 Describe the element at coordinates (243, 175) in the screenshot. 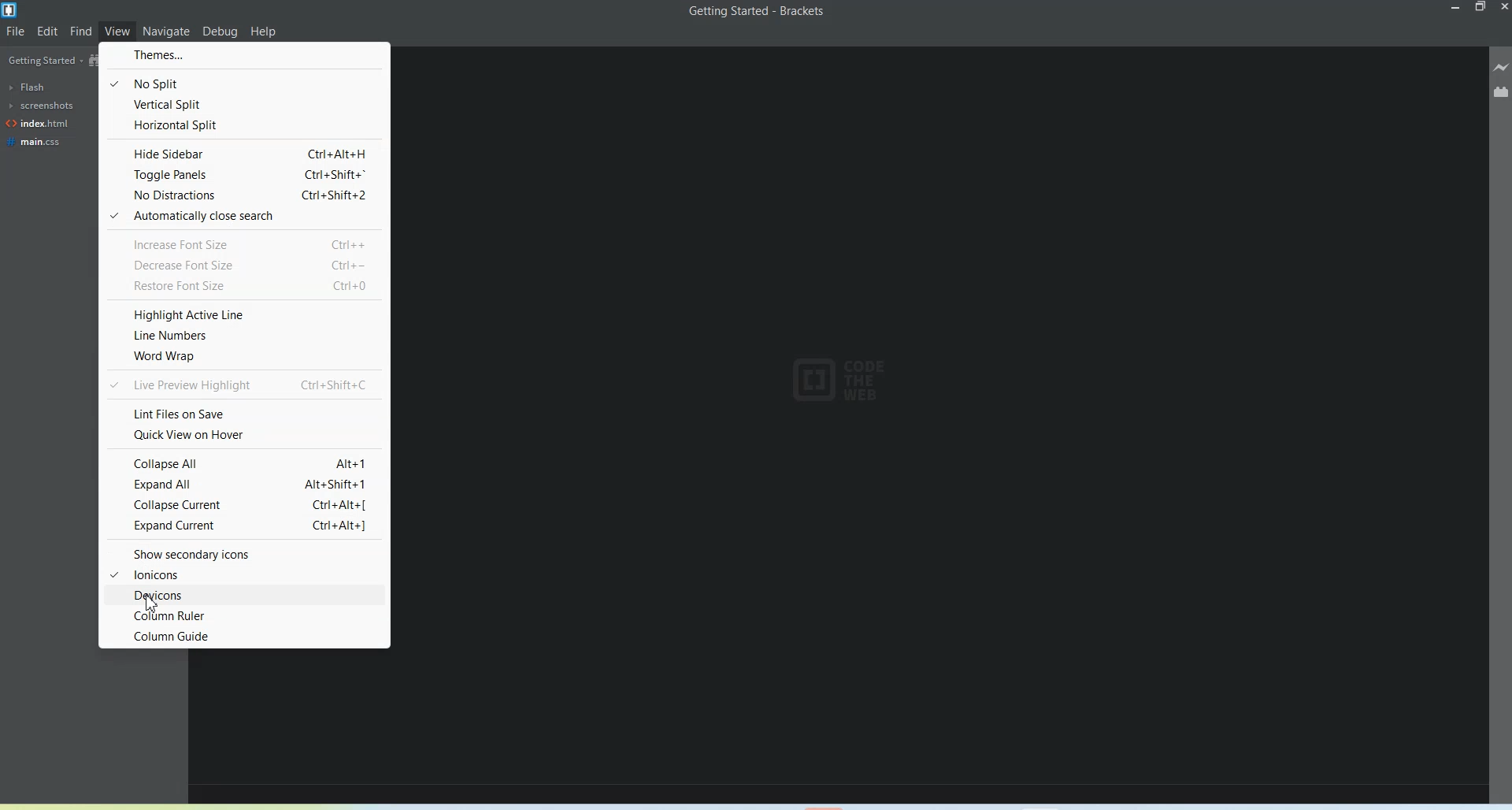

I see `Toggle Panels` at that location.